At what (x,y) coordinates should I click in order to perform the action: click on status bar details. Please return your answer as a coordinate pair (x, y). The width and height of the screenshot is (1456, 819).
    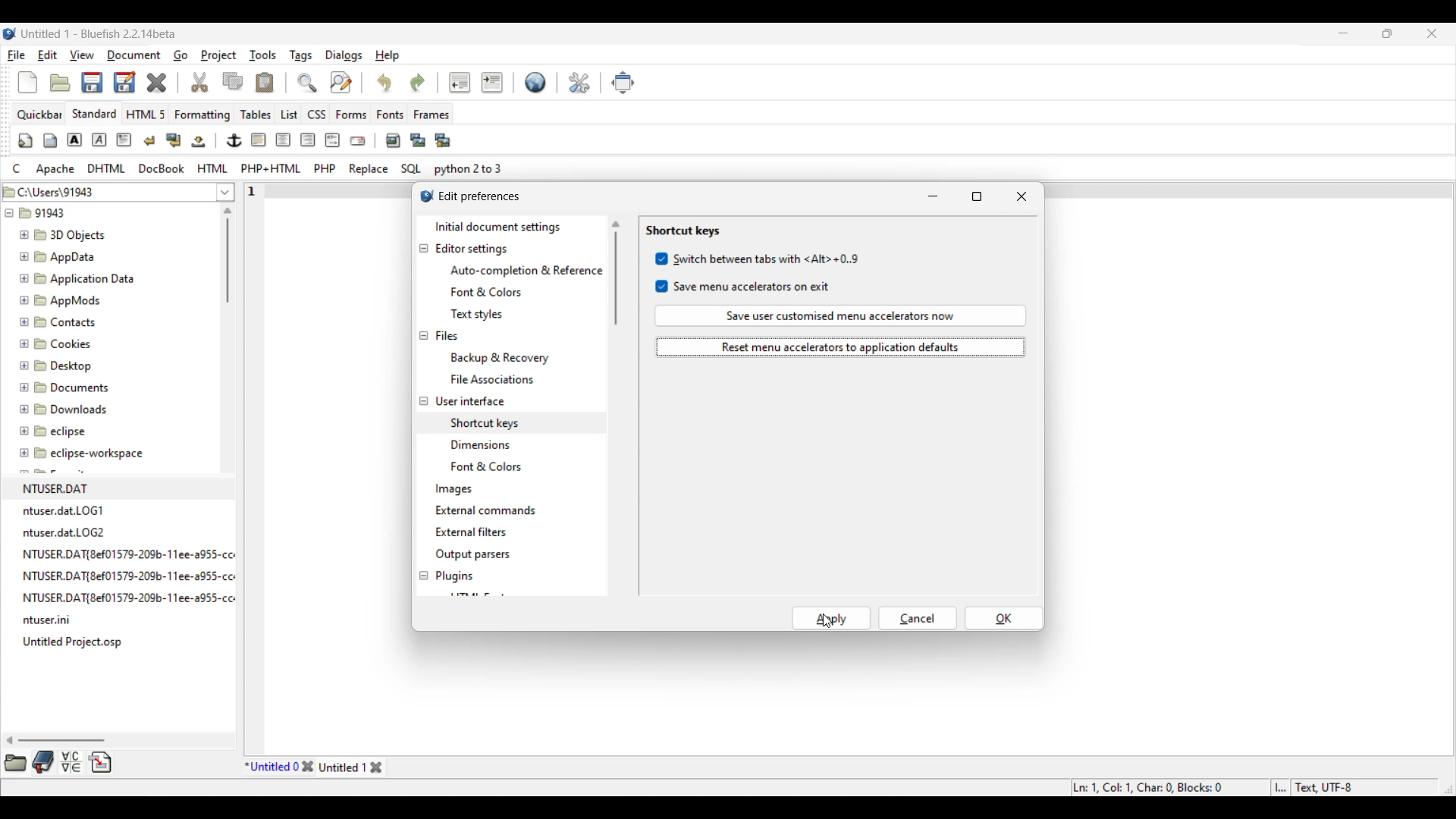
    Looking at the image, I should click on (1242, 786).